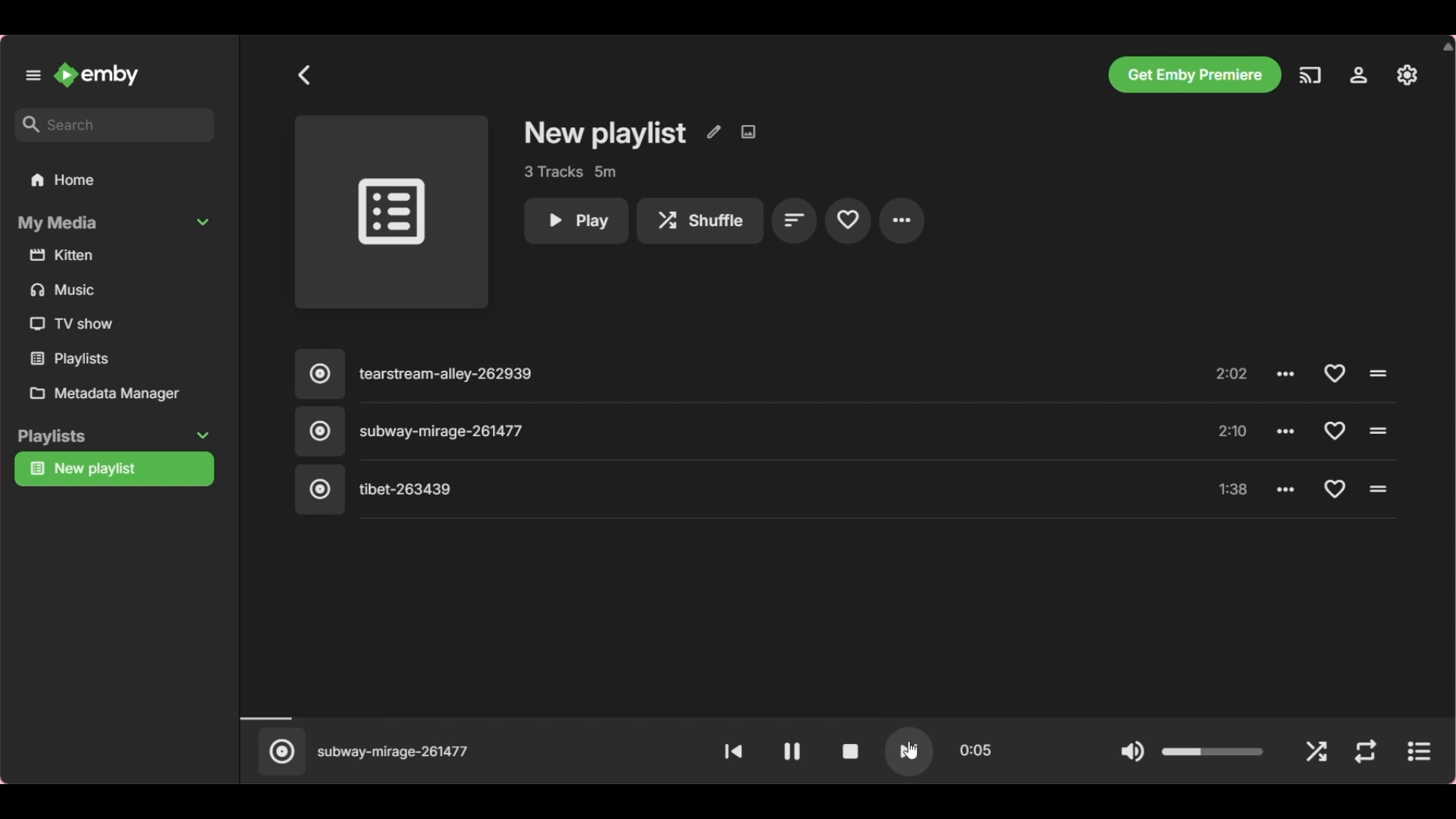  I want to click on Click to play current song in separate window, so click(278, 758).